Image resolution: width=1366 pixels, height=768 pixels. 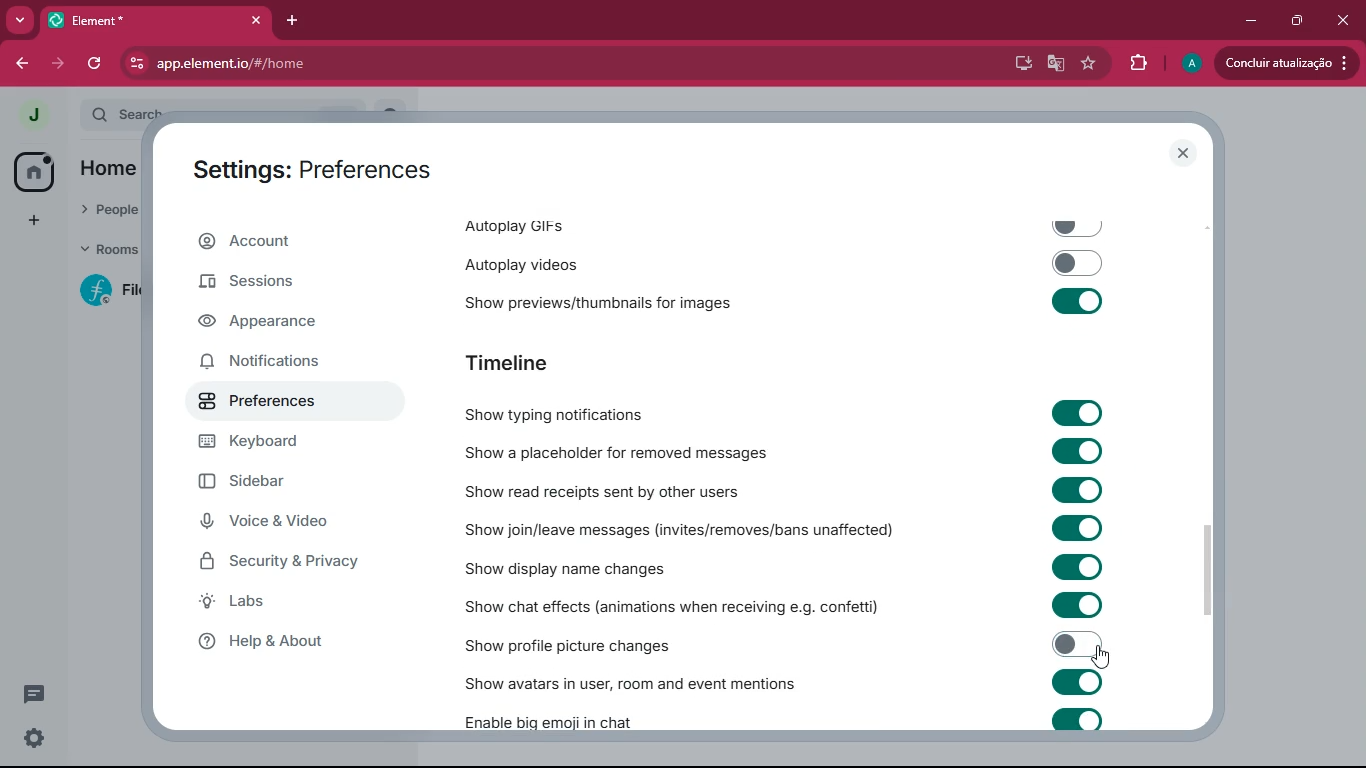 What do you see at coordinates (304, 171) in the screenshot?
I see `settings: preferences` at bounding box center [304, 171].